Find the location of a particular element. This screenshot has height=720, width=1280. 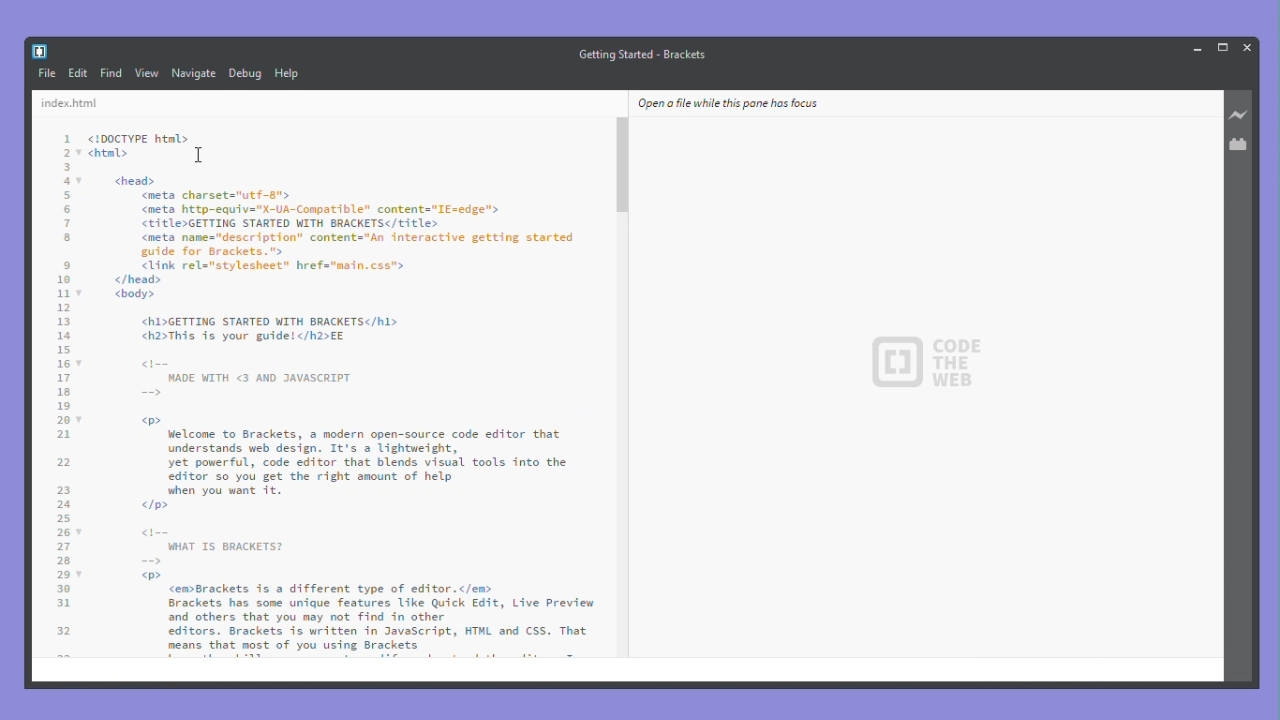

24 is located at coordinates (63, 505).